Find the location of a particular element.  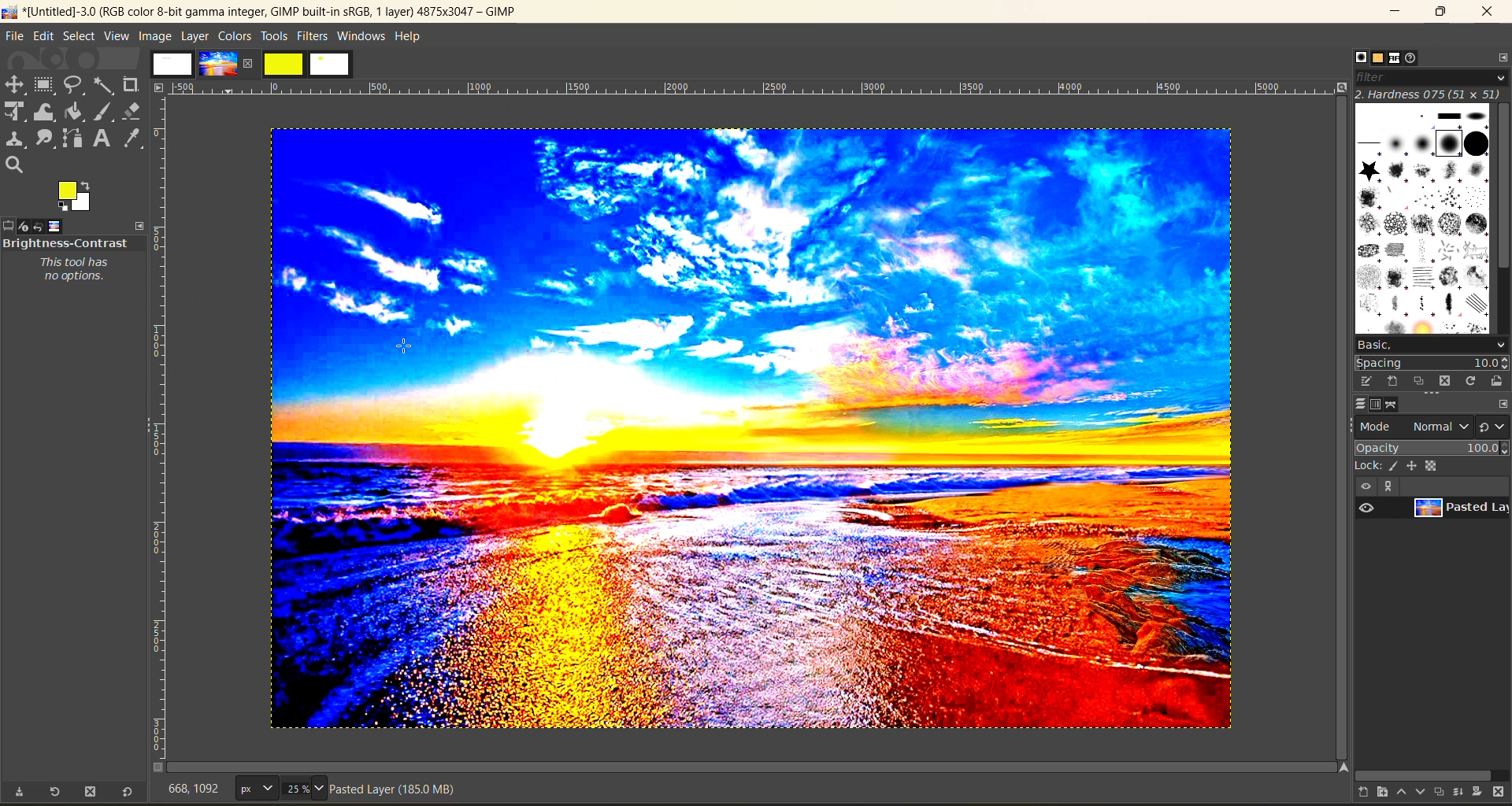

maximize is located at coordinates (1440, 12).